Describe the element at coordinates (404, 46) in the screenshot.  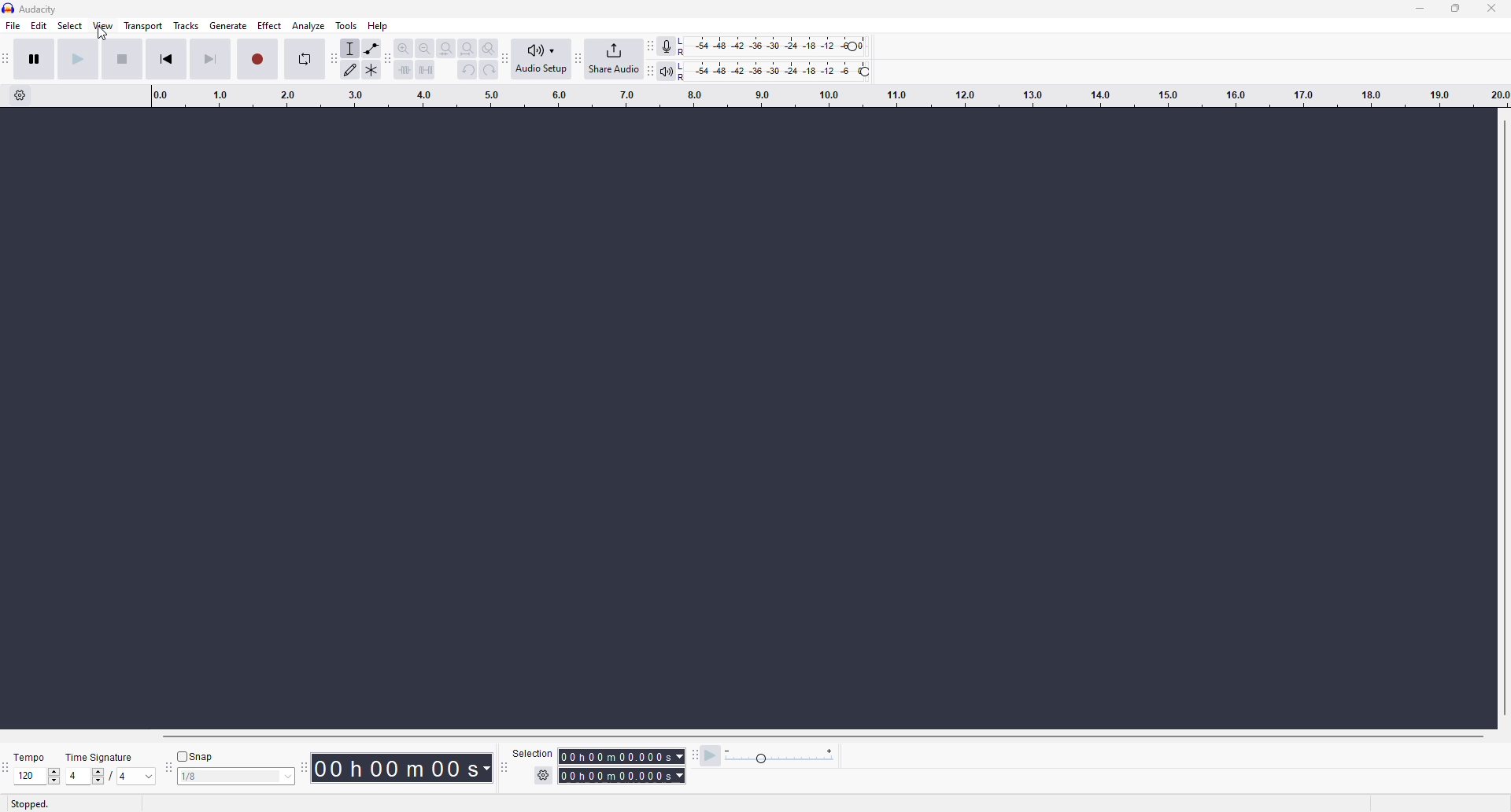
I see `zoom in` at that location.